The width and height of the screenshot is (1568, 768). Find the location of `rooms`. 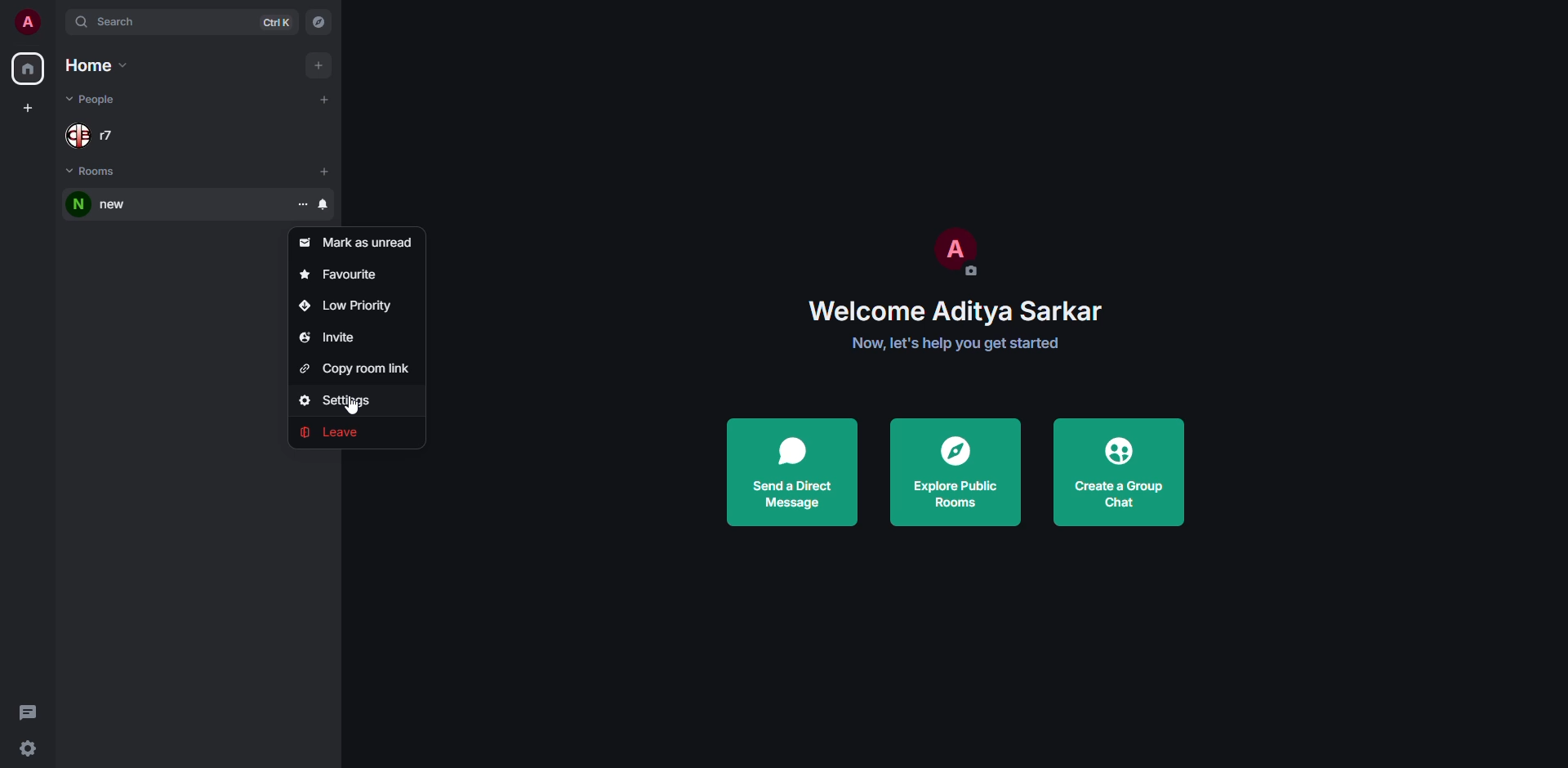

rooms is located at coordinates (91, 168).